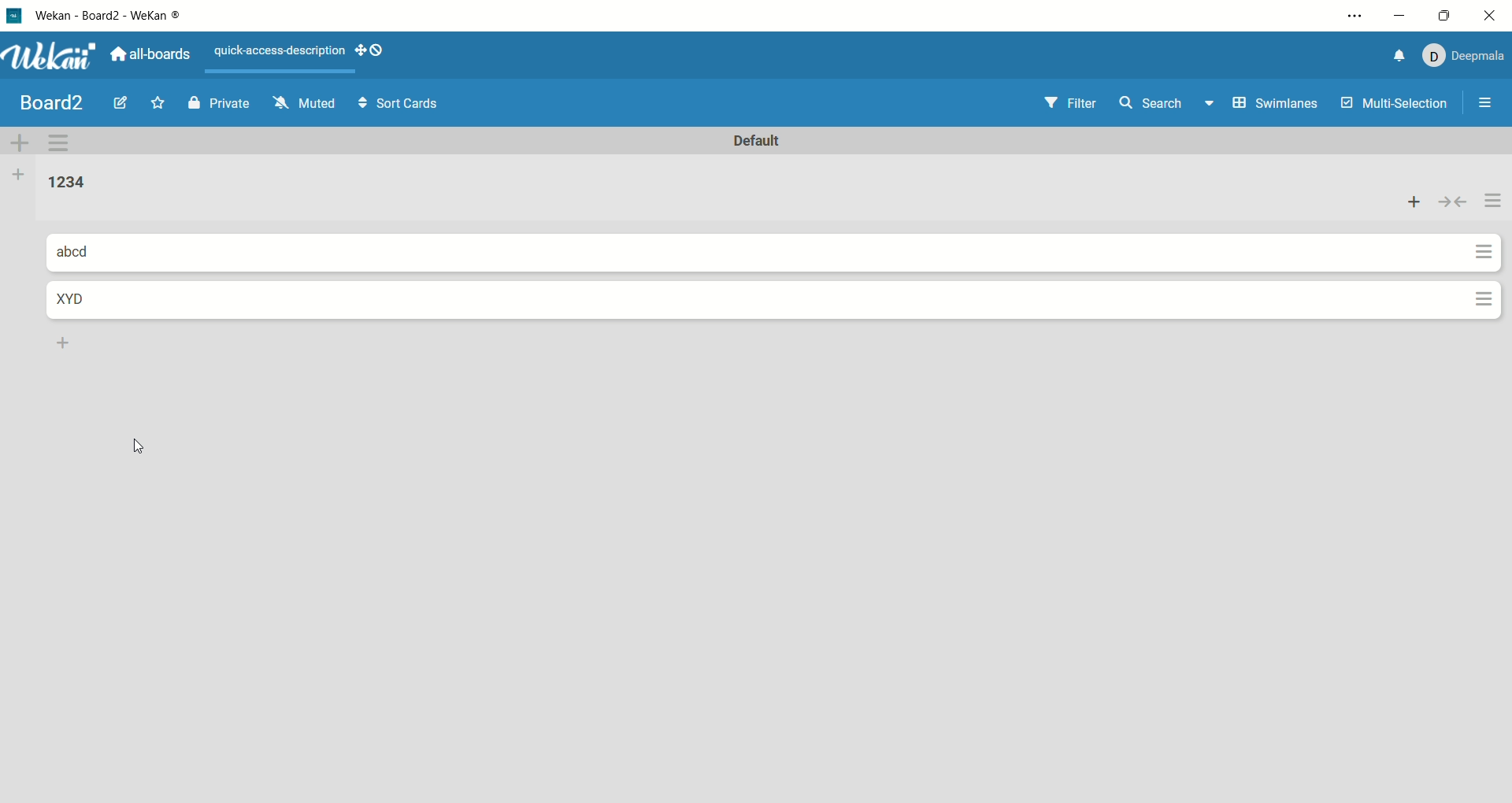 The width and height of the screenshot is (1512, 803). I want to click on close, so click(1493, 17).